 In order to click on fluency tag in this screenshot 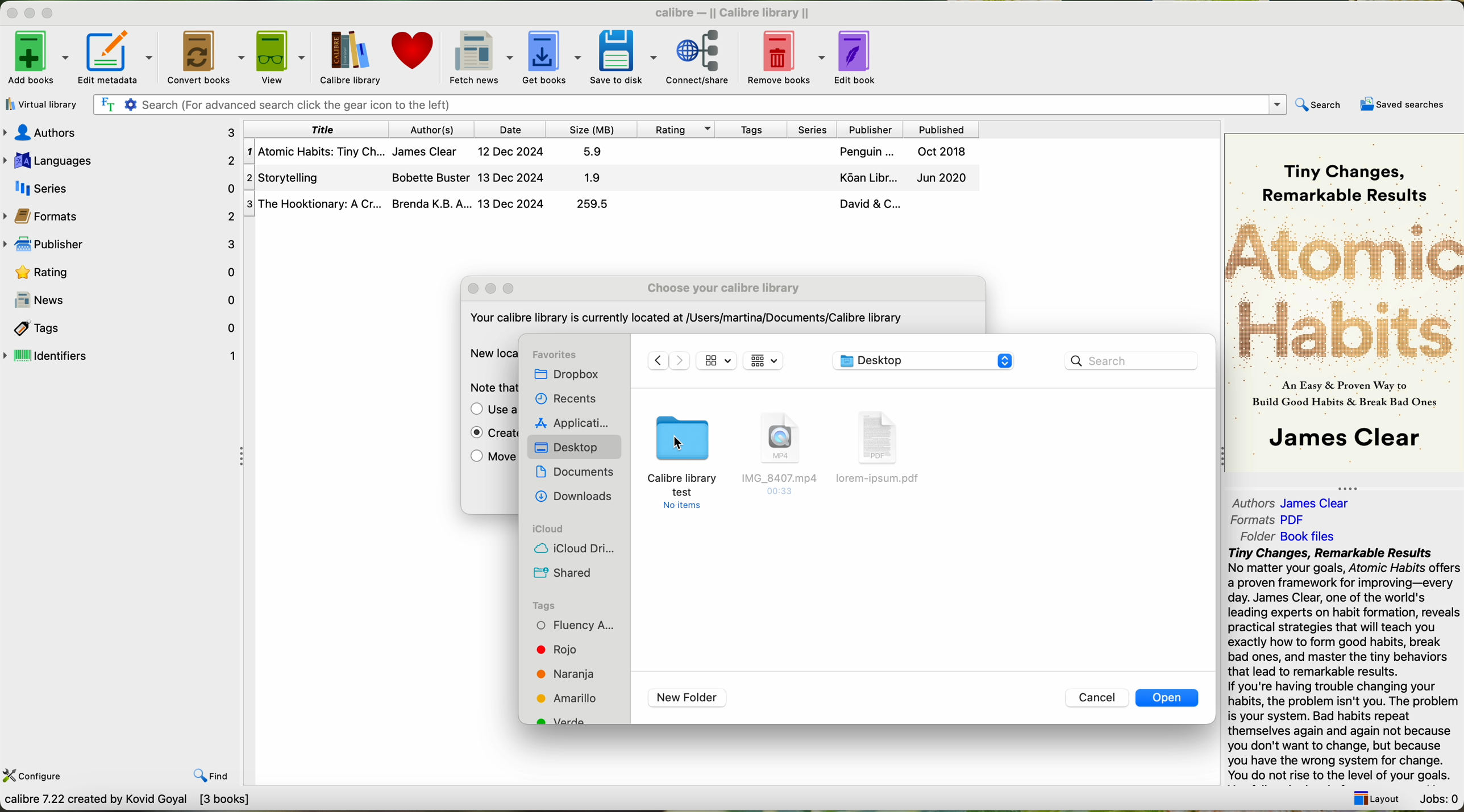, I will do `click(575, 625)`.